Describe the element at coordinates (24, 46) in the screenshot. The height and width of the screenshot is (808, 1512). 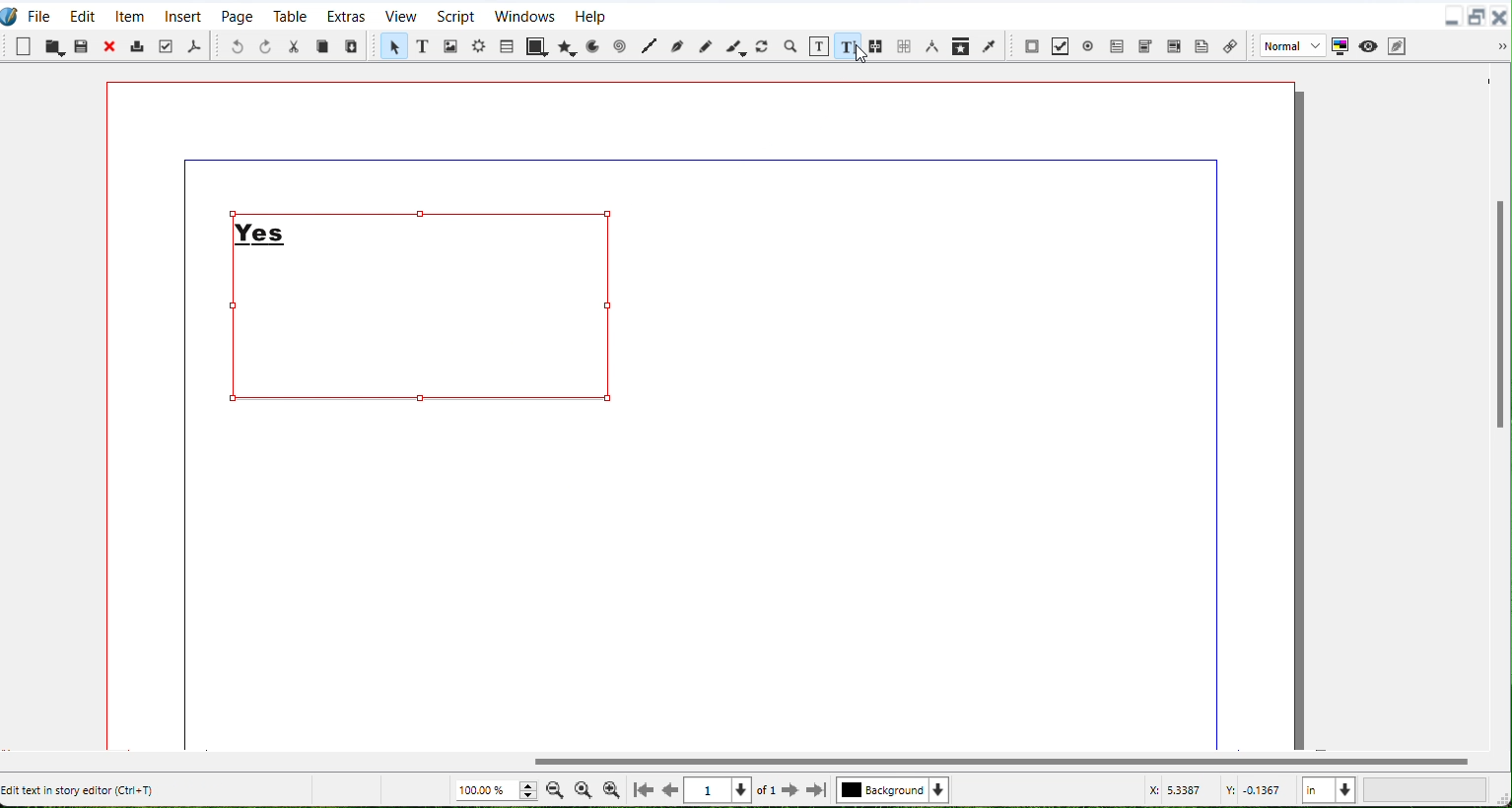
I see `New` at that location.